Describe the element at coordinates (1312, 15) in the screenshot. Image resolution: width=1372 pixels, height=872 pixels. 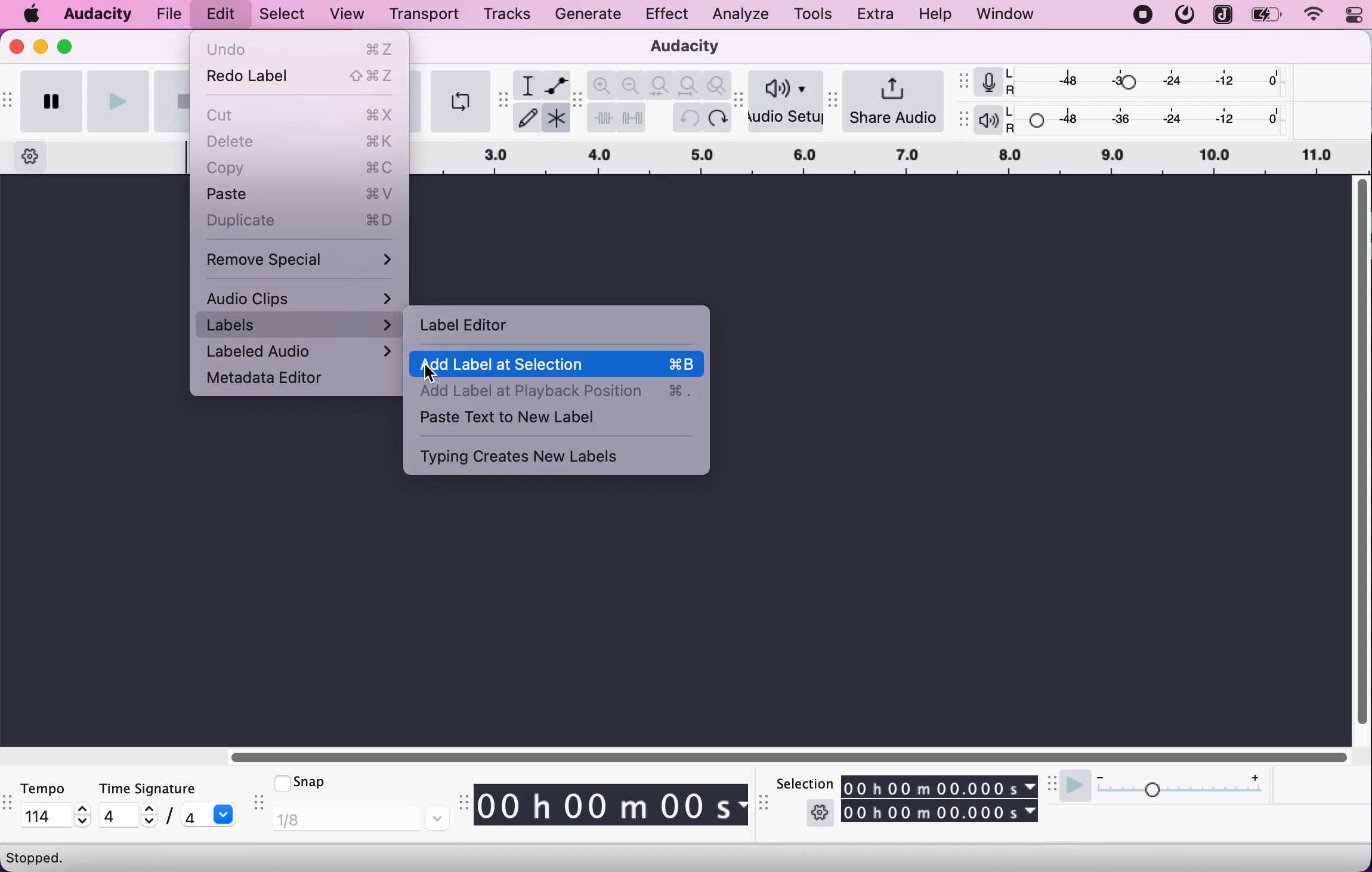
I see `wifi` at that location.